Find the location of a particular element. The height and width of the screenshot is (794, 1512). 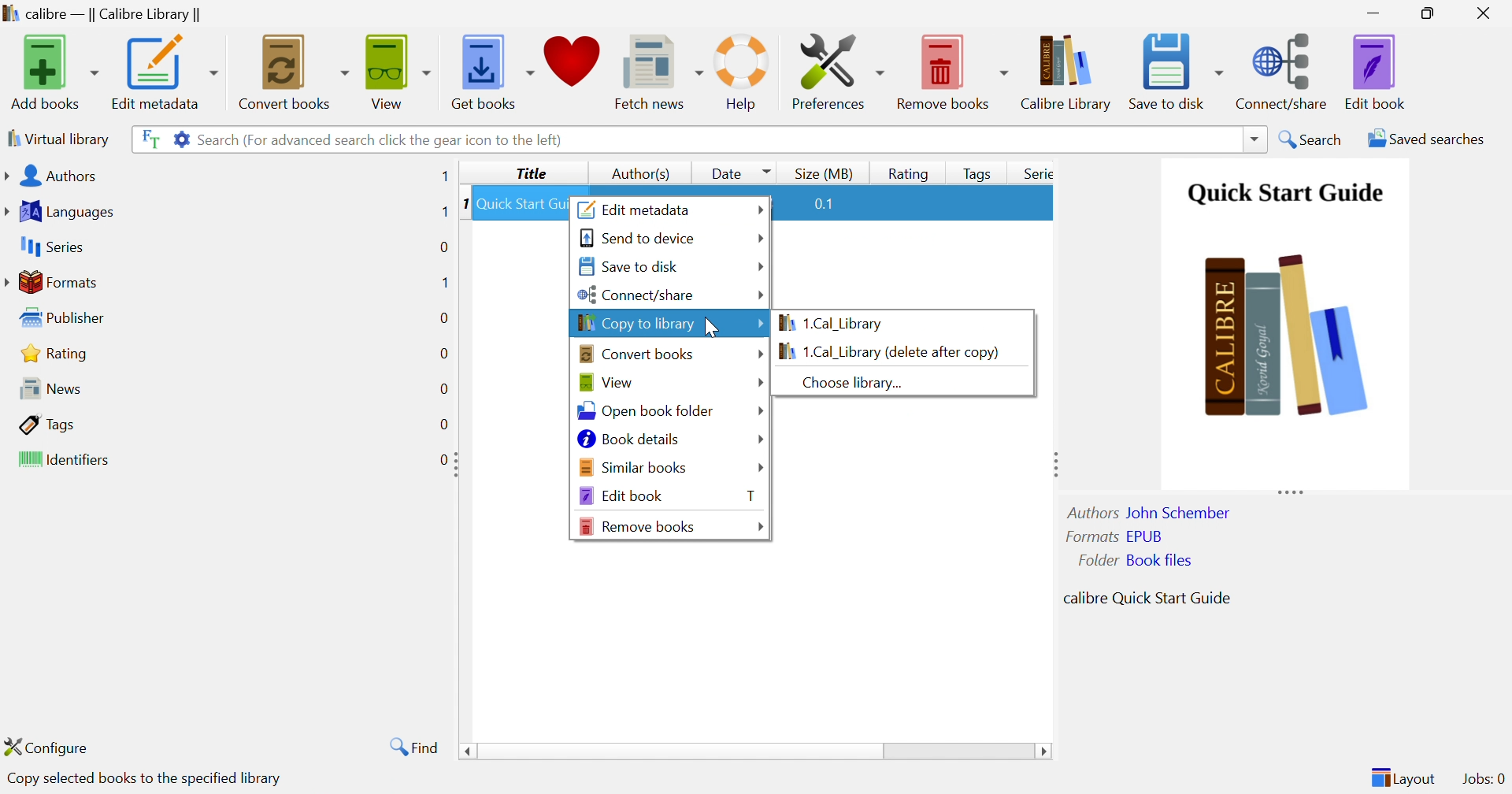

Quick Start Gu is located at coordinates (521, 205).